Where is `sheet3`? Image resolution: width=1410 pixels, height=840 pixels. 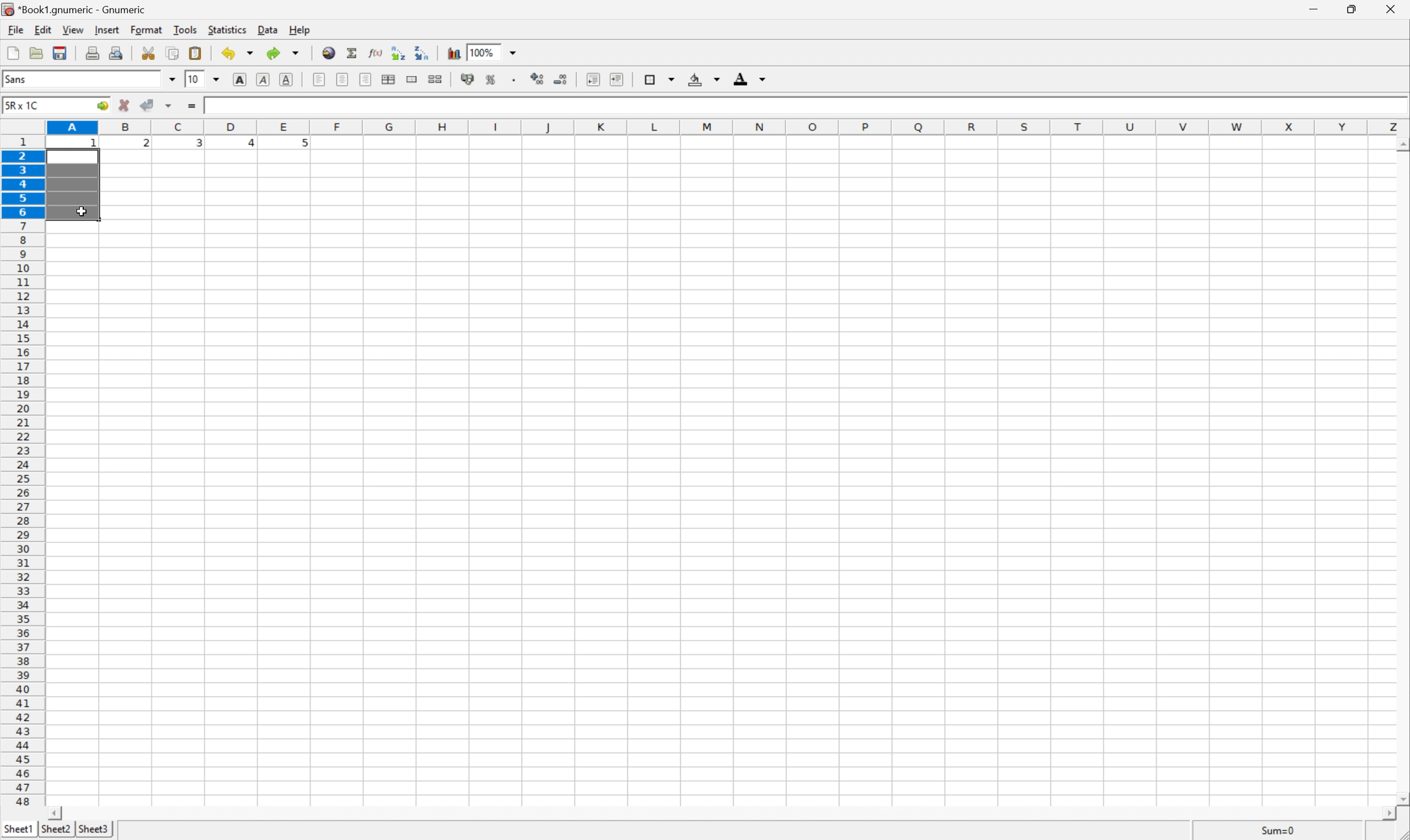 sheet3 is located at coordinates (93, 832).